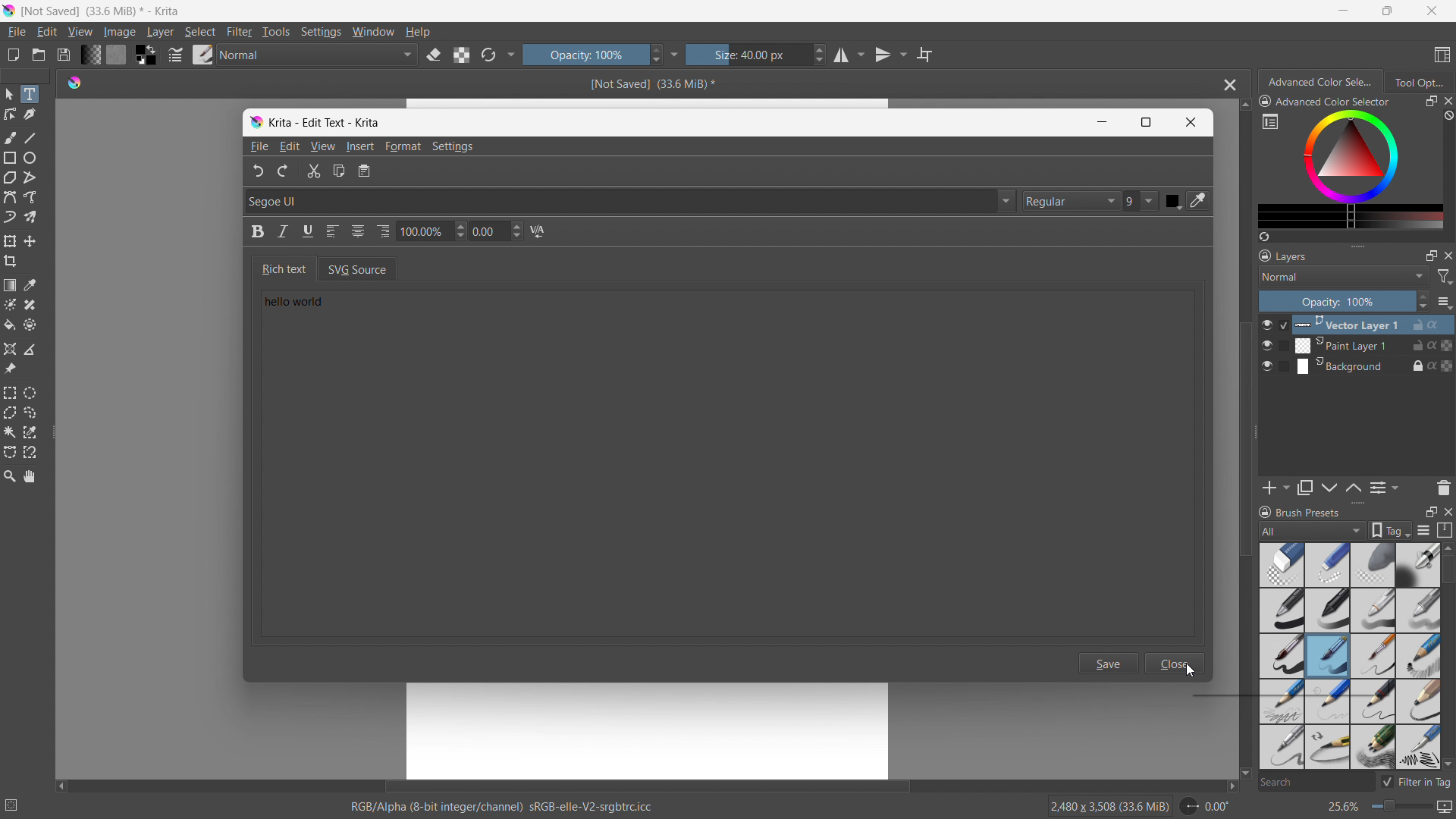 This screenshot has width=1456, height=819. I want to click on pen, so click(1328, 610).